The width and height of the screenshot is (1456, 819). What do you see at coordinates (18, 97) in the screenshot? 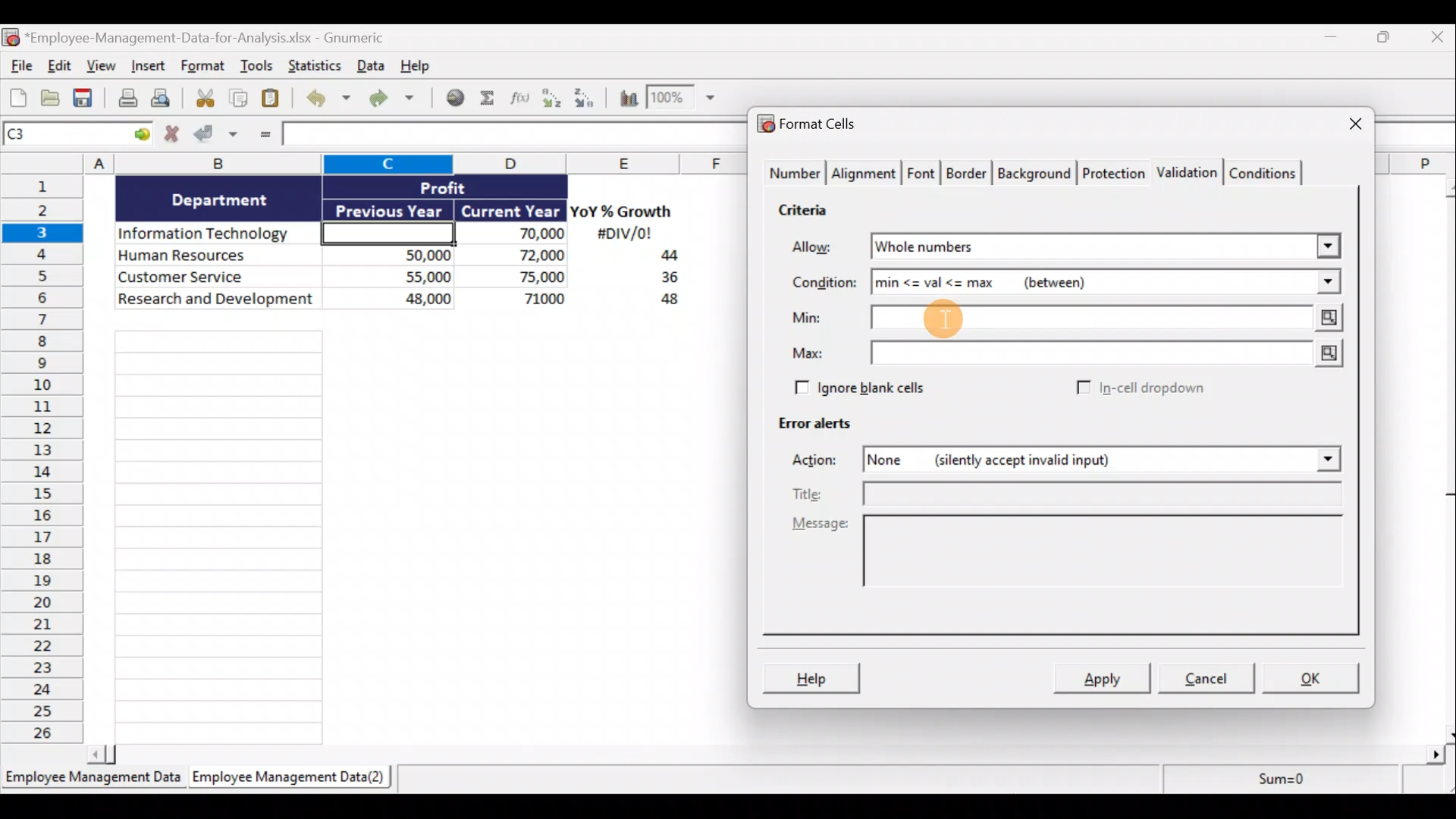
I see `Create new workbook` at bounding box center [18, 97].